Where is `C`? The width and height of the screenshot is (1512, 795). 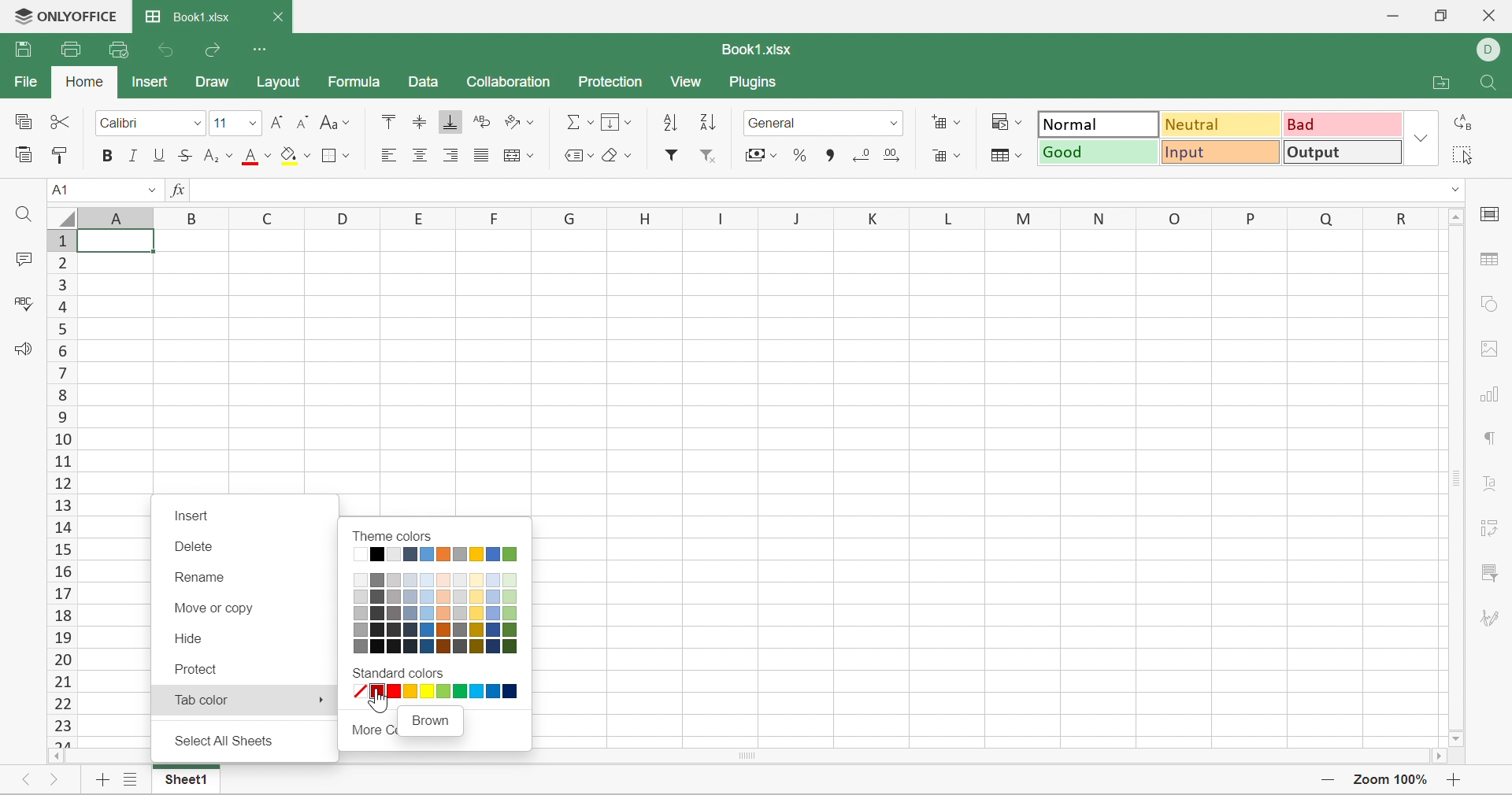 C is located at coordinates (269, 217).